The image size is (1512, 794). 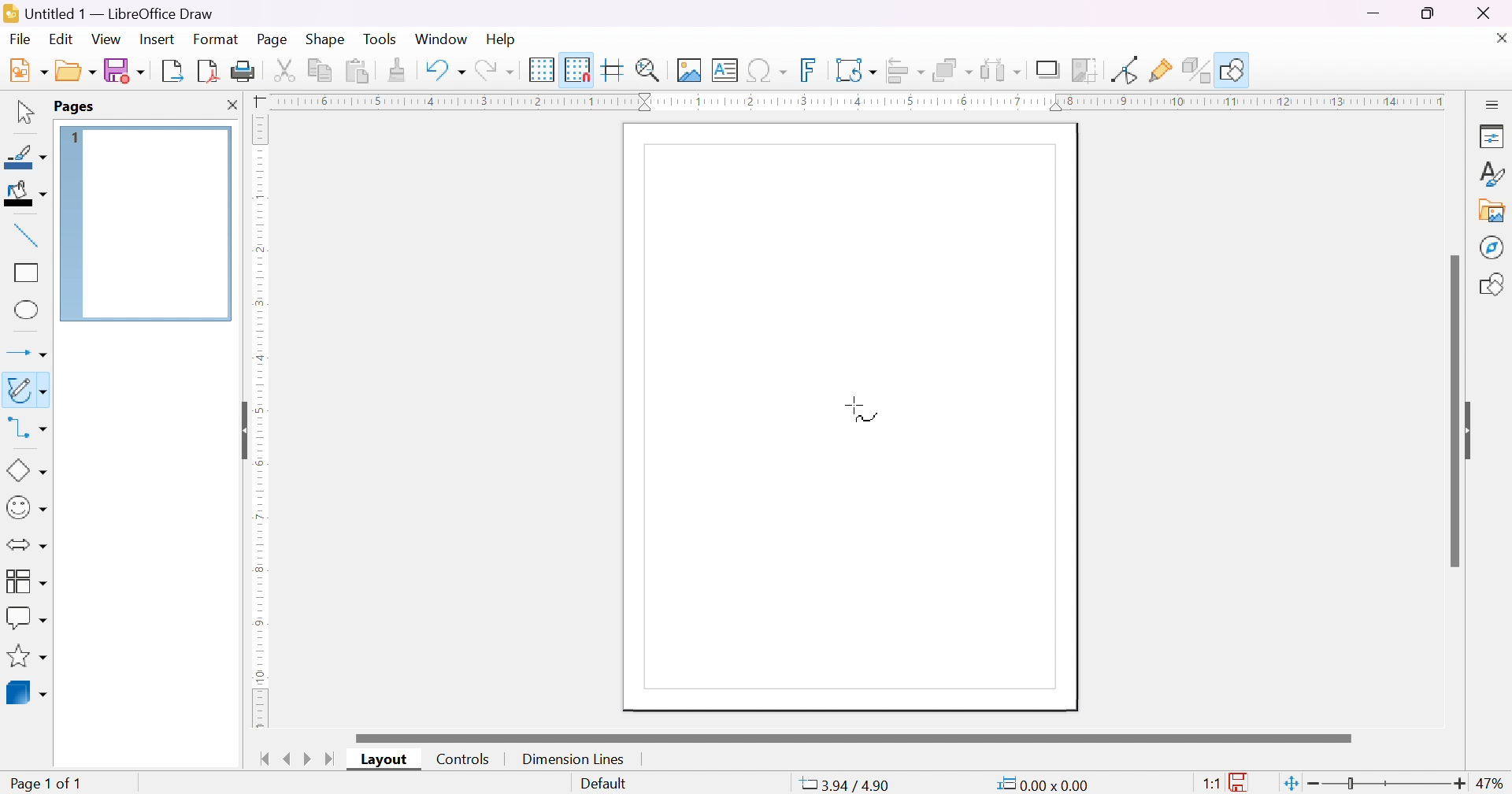 I want to click on connectors, so click(x=23, y=429).